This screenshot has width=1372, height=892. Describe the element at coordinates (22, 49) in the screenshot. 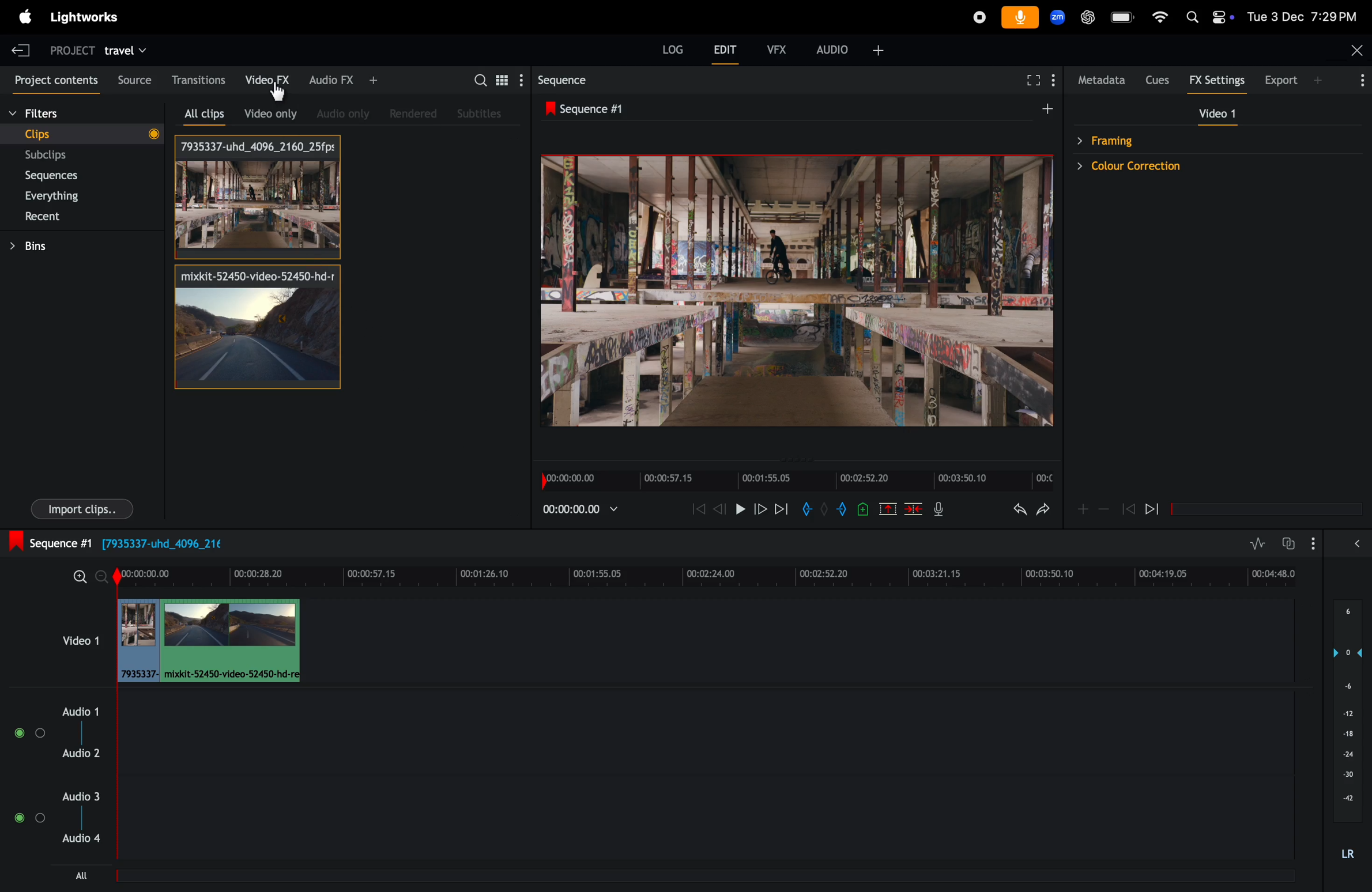

I see `exit` at that location.